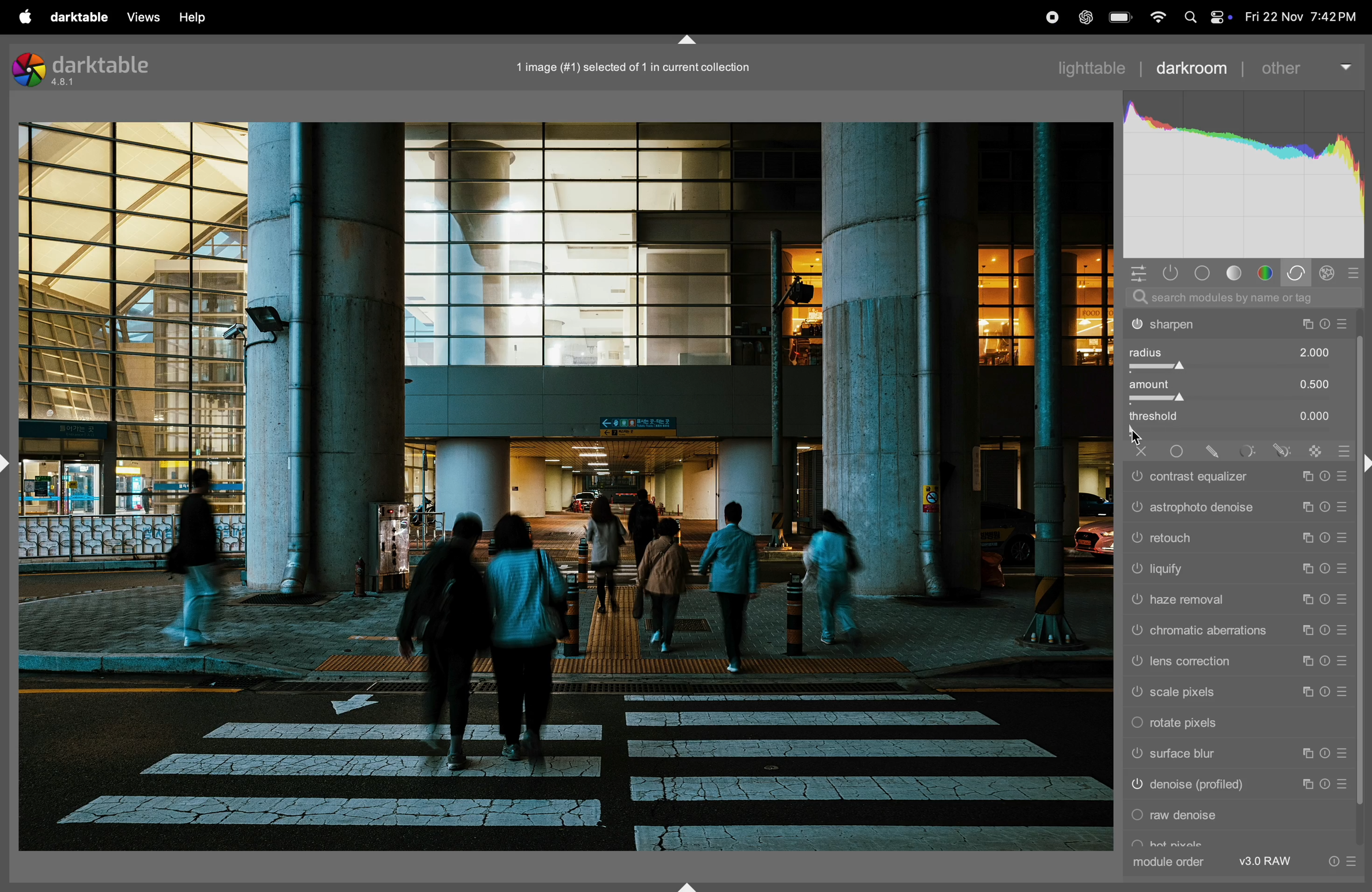 This screenshot has height=892, width=1372. What do you see at coordinates (1212, 451) in the screenshot?
I see `draw mask` at bounding box center [1212, 451].